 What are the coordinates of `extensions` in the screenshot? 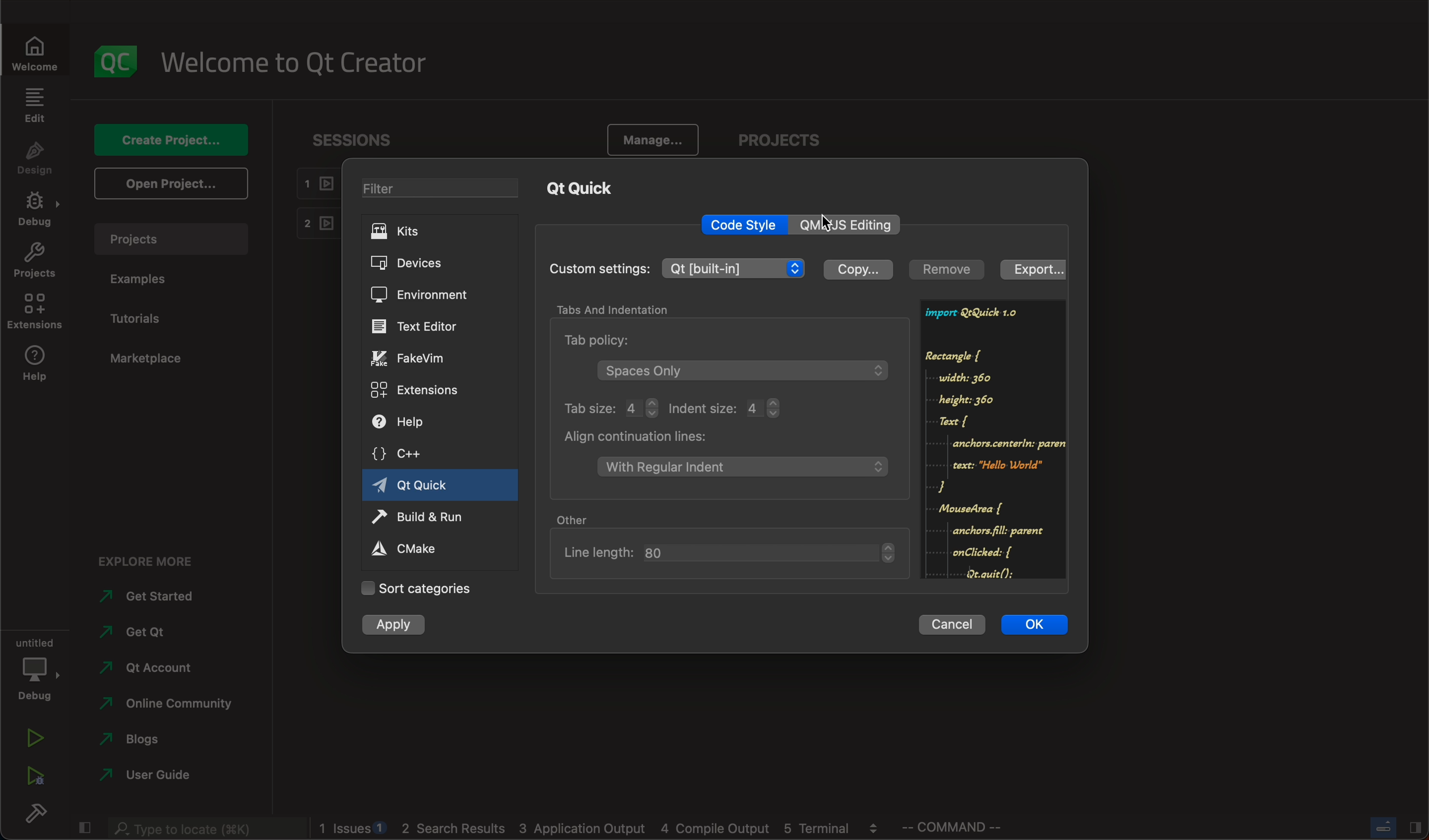 It's located at (418, 392).